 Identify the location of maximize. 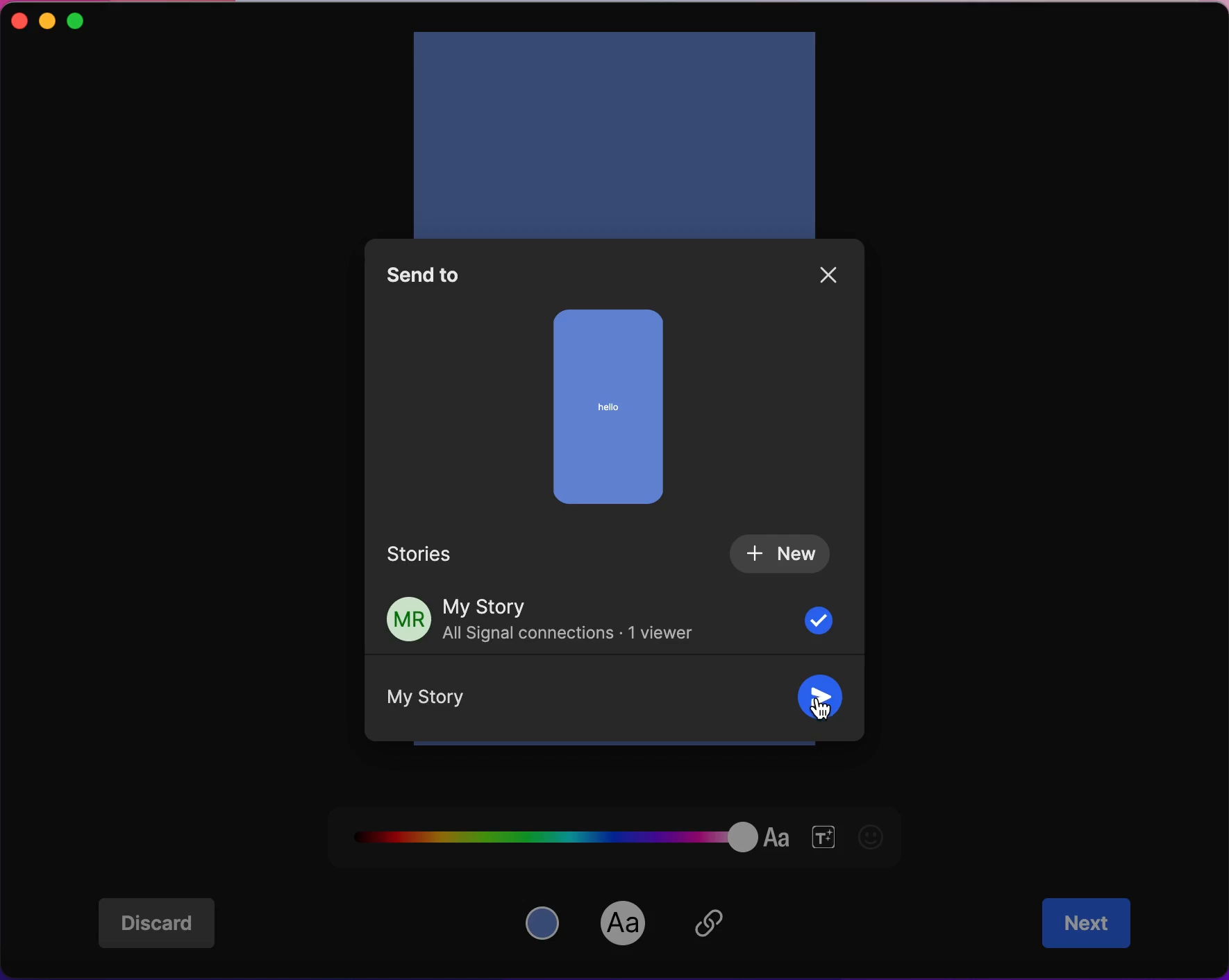
(92, 19).